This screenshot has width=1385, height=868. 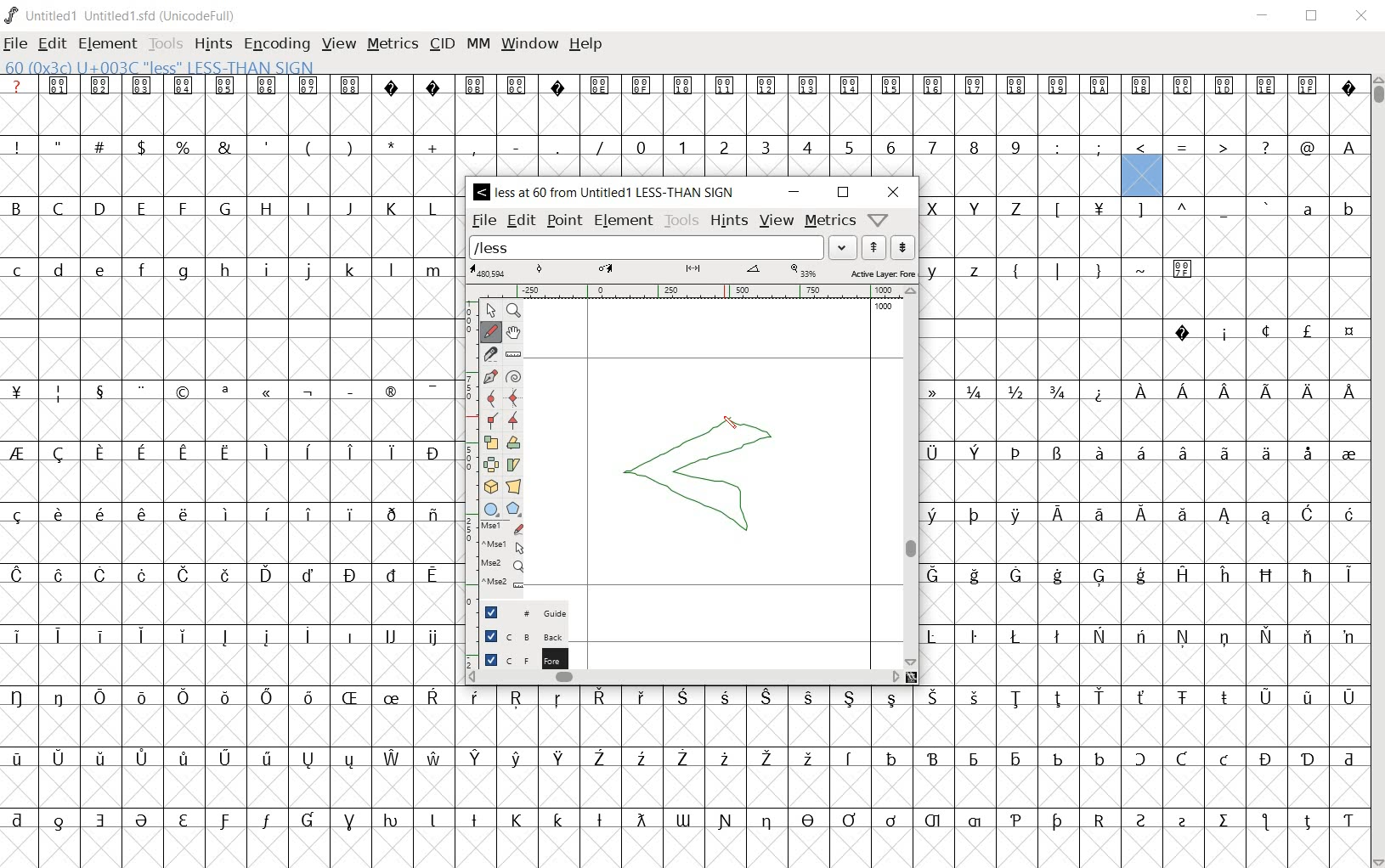 I want to click on empty cells, so click(x=229, y=300).